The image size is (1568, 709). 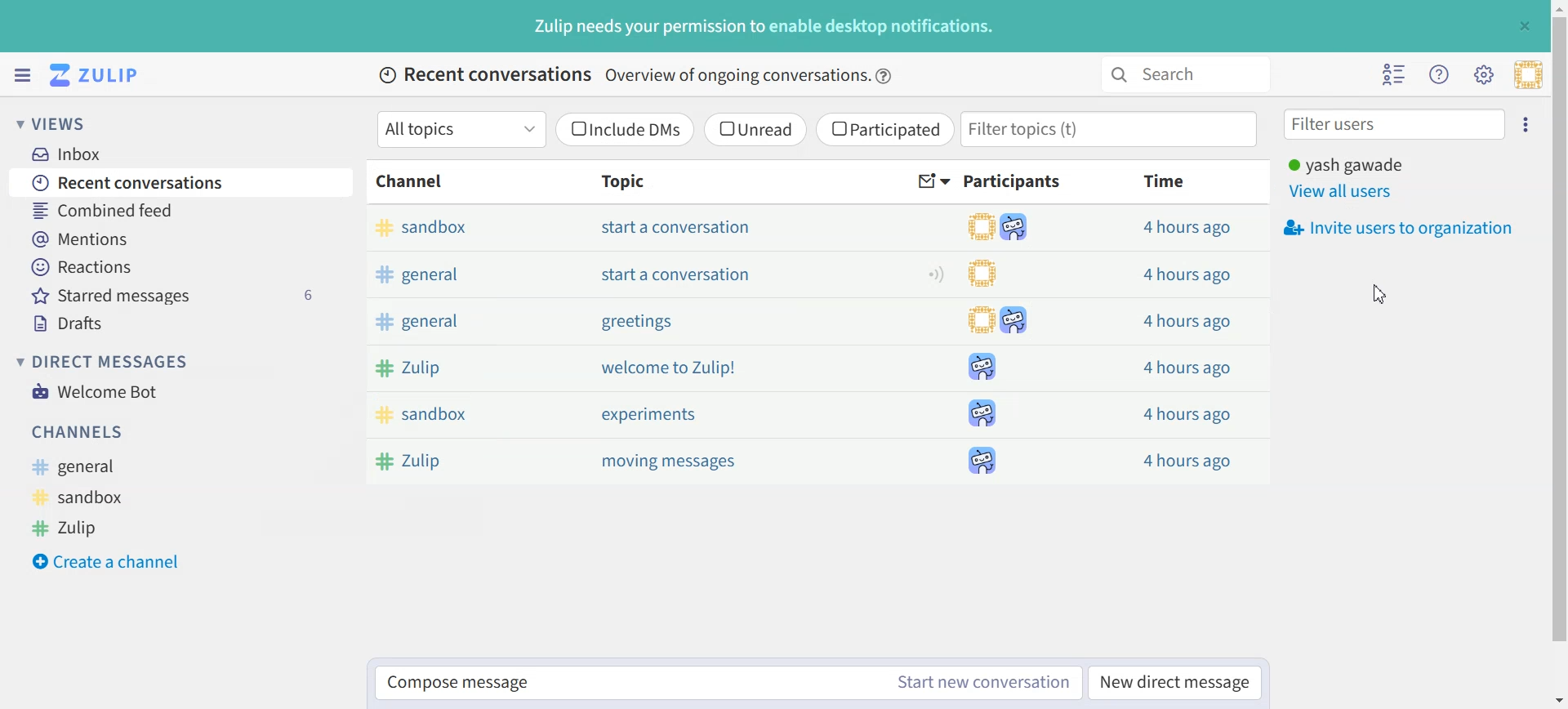 I want to click on Sort by unread message count, so click(x=934, y=182).